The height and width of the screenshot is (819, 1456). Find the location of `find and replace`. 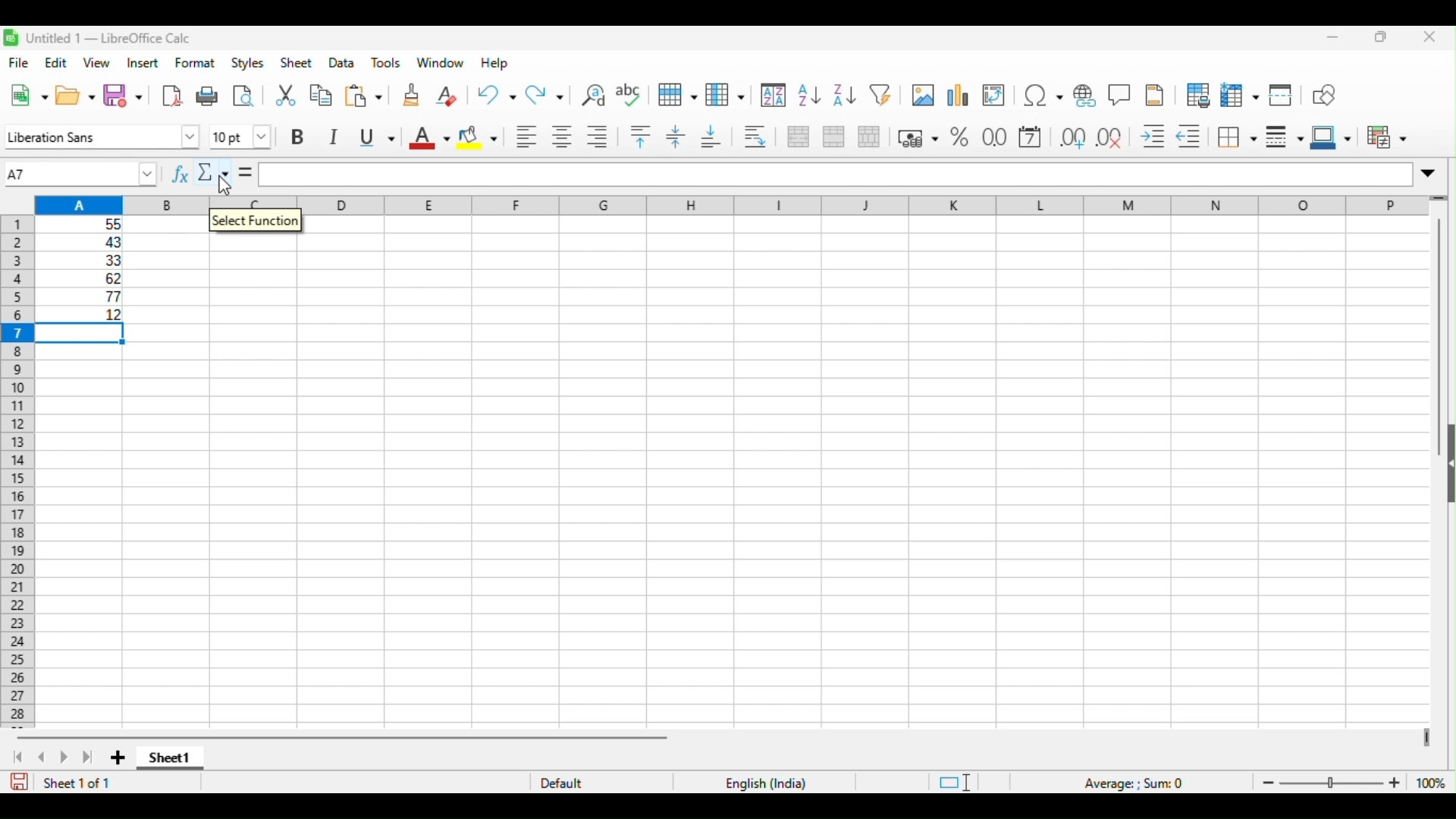

find and replace is located at coordinates (592, 94).